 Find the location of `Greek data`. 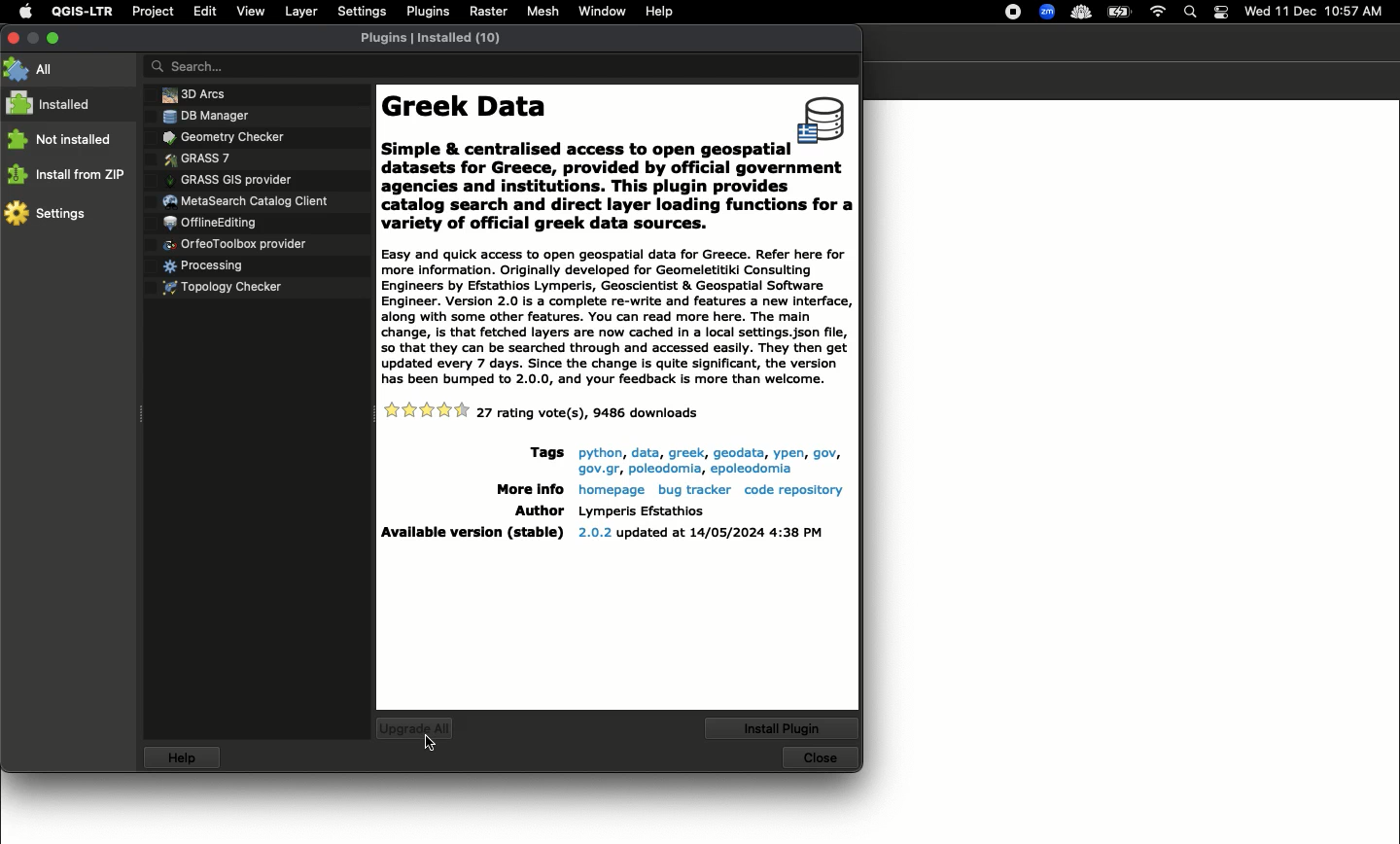

Greek data is located at coordinates (586, 124).